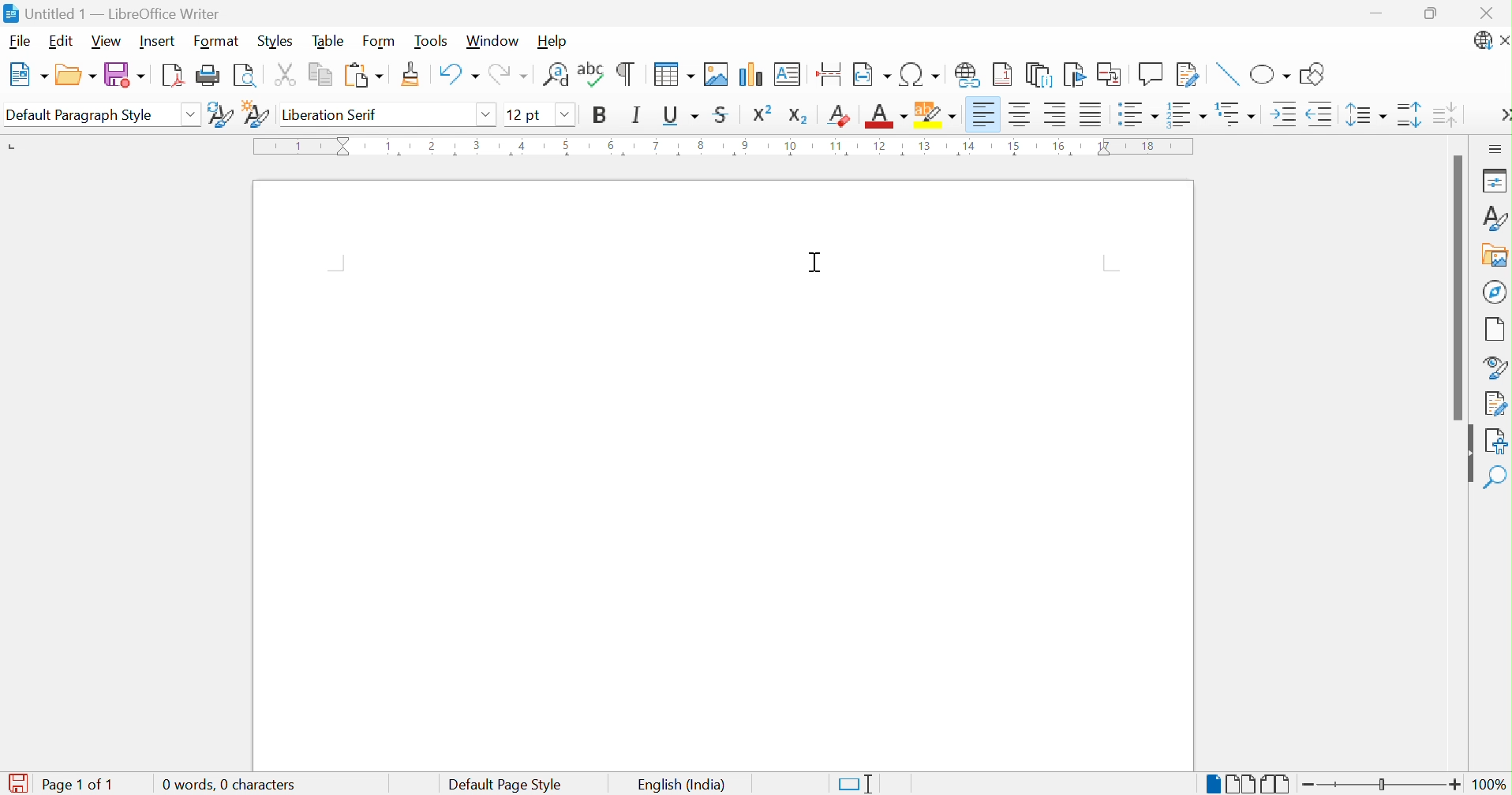 Image resolution: width=1512 pixels, height=795 pixels. What do you see at coordinates (918, 74) in the screenshot?
I see `Insert special characters` at bounding box center [918, 74].